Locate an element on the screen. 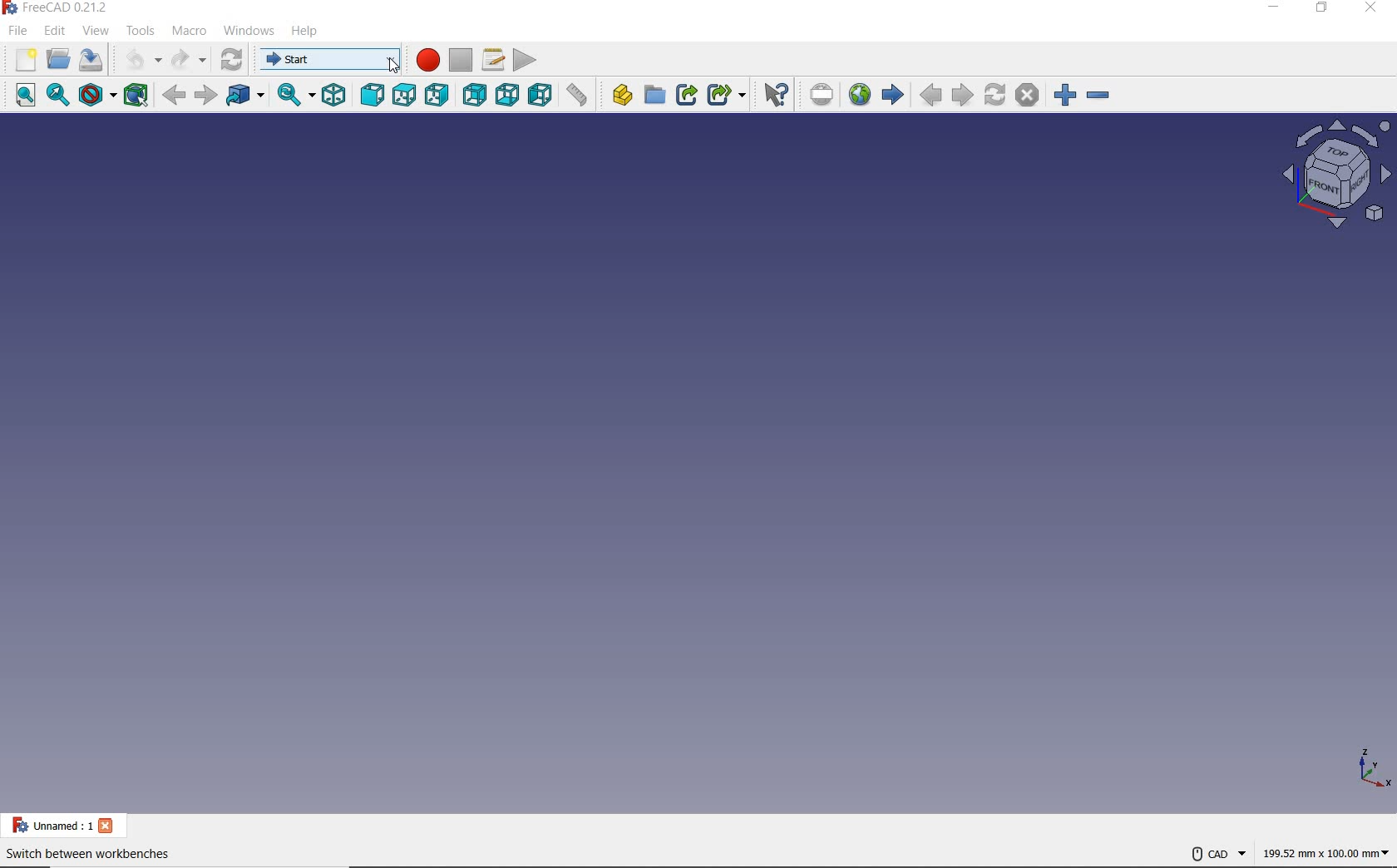 The image size is (1397, 868). REDO is located at coordinates (189, 61).